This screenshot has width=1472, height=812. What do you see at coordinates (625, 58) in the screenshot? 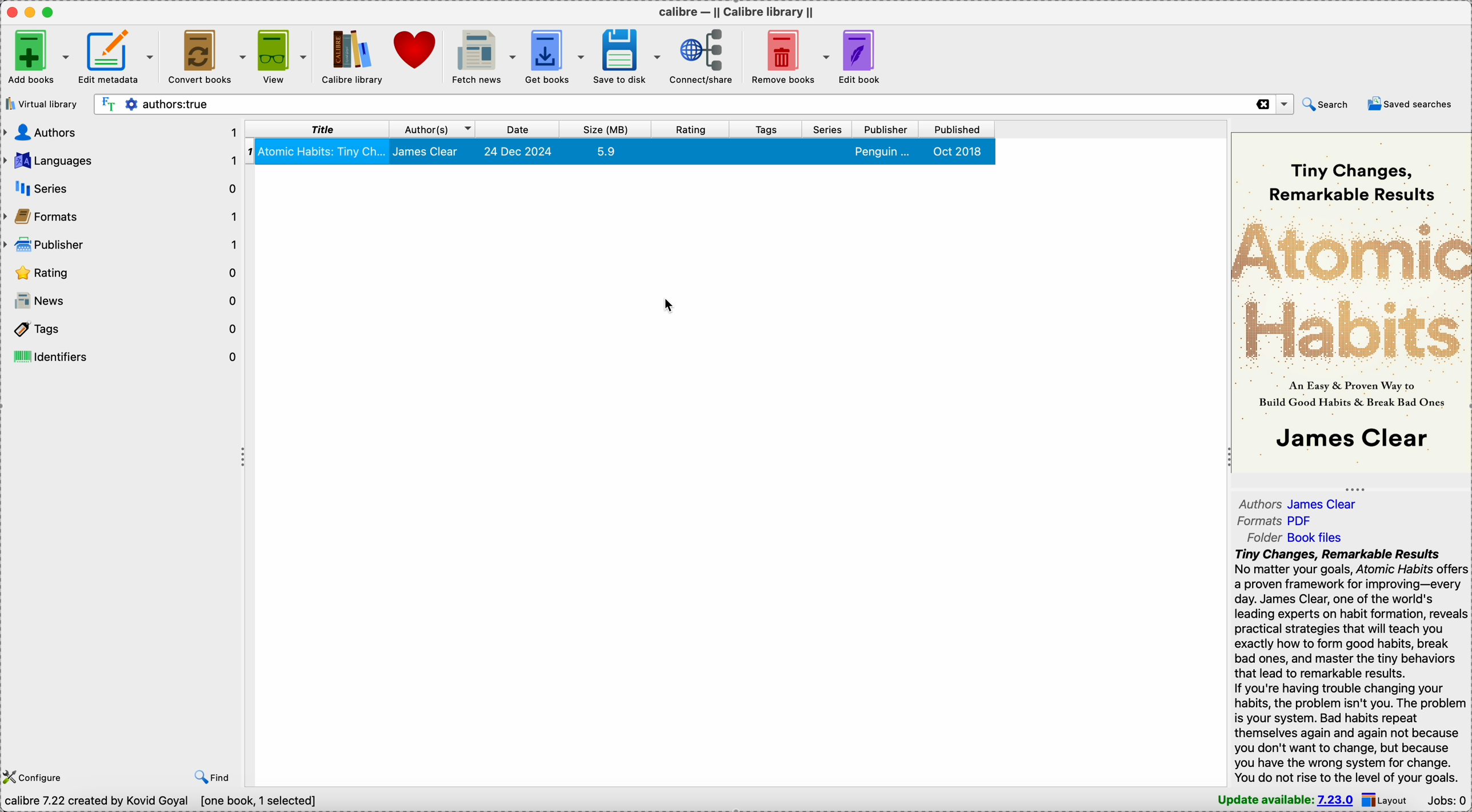
I see `save to disk` at bounding box center [625, 58].